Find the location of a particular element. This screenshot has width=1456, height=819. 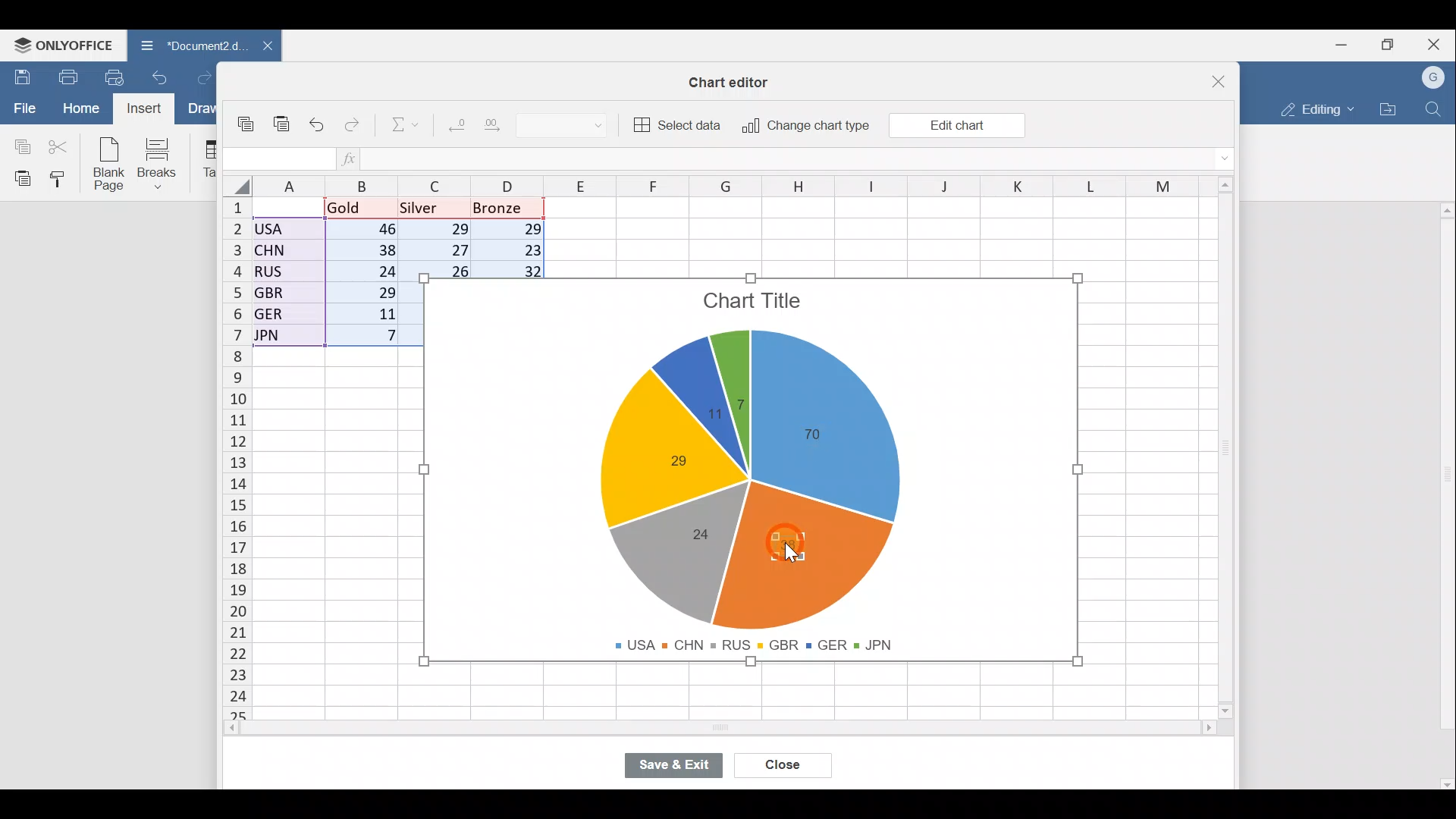

Redo is located at coordinates (353, 128).